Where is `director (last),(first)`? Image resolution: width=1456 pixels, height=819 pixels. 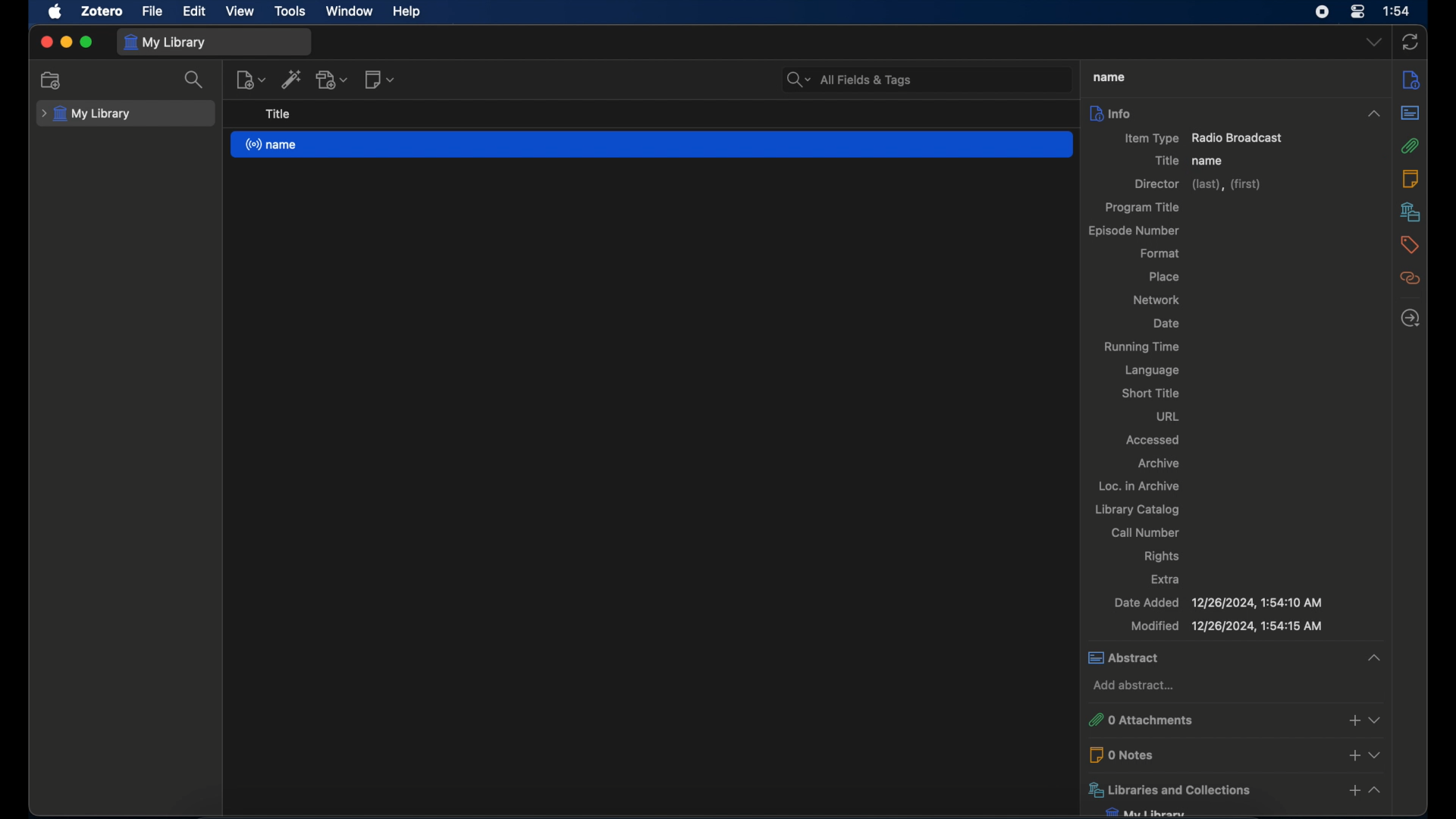 director (last),(first) is located at coordinates (1200, 185).